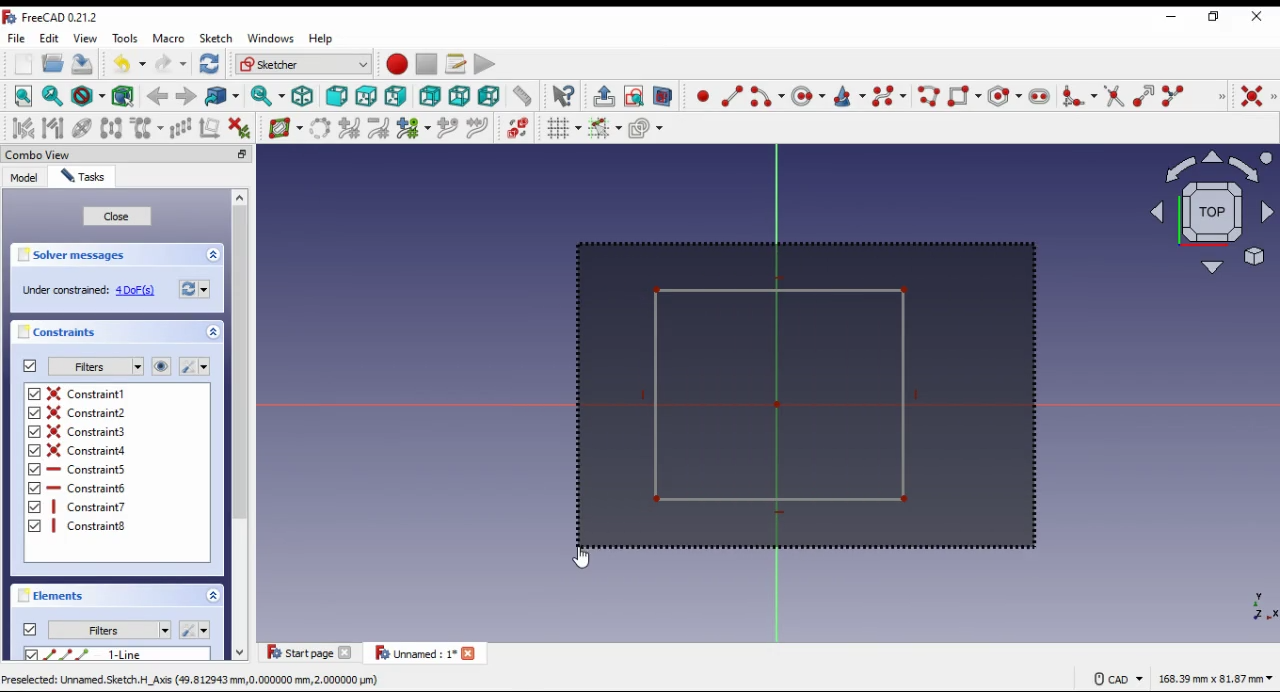  What do you see at coordinates (92, 507) in the screenshot?
I see `on/off constraint 7` at bounding box center [92, 507].